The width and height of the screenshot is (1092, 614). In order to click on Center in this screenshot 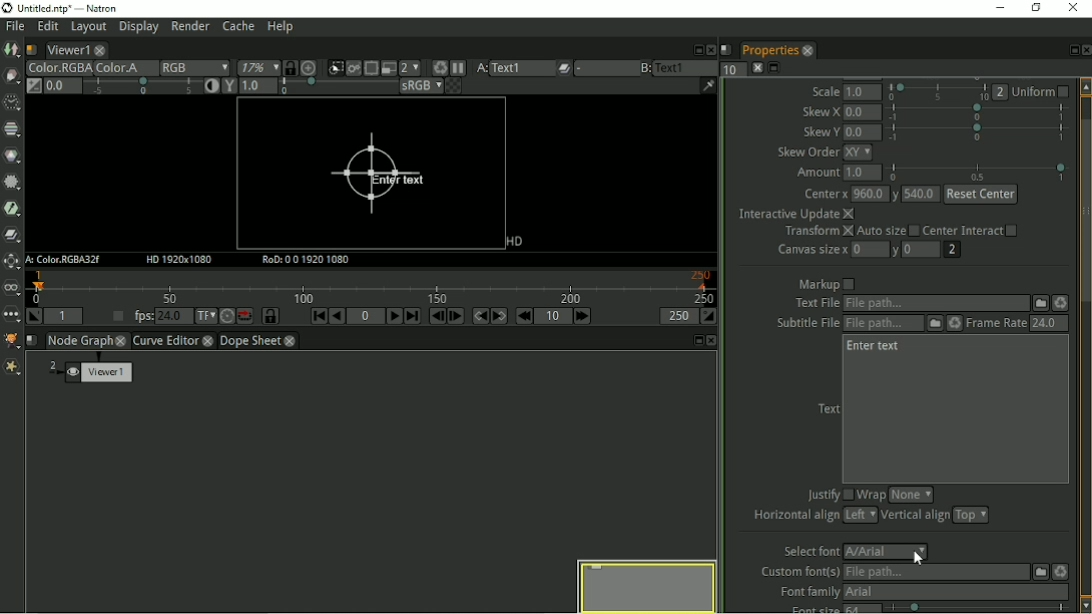, I will do `click(823, 195)`.